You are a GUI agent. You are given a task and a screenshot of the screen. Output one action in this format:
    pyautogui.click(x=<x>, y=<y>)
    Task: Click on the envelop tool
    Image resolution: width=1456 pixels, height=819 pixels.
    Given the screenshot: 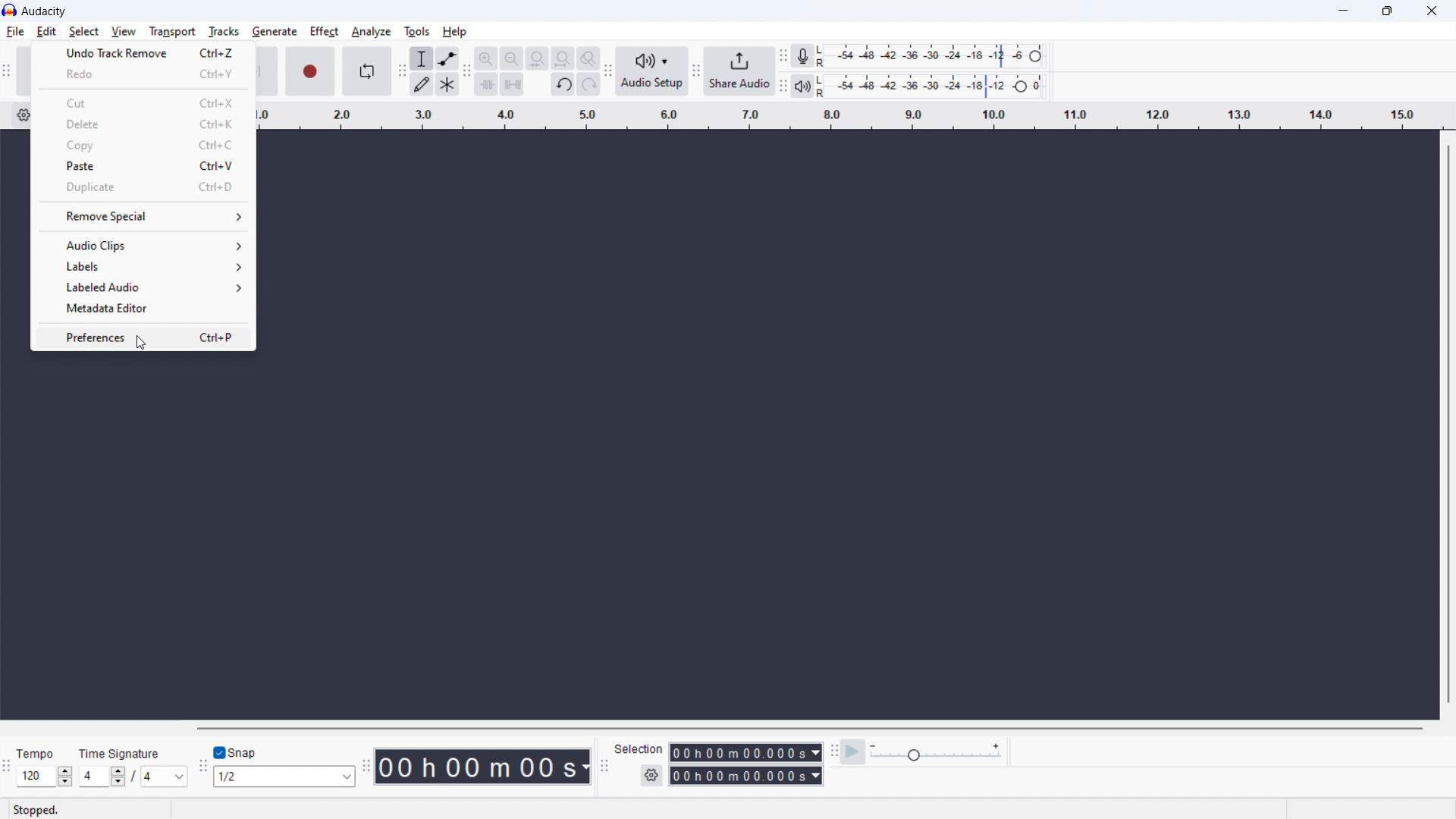 What is the action you would take?
    pyautogui.click(x=447, y=59)
    